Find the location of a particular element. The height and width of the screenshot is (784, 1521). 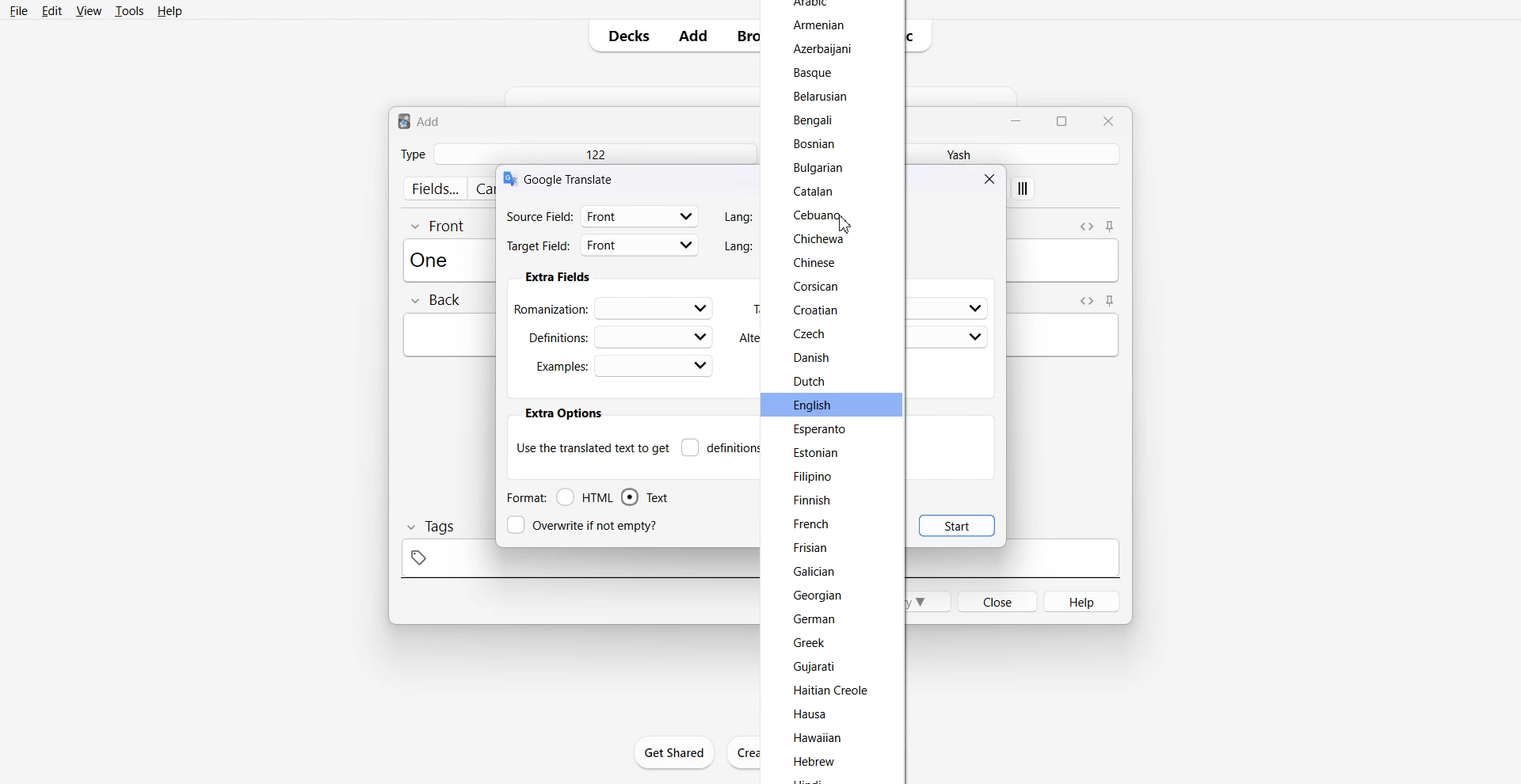

File is located at coordinates (20, 10).